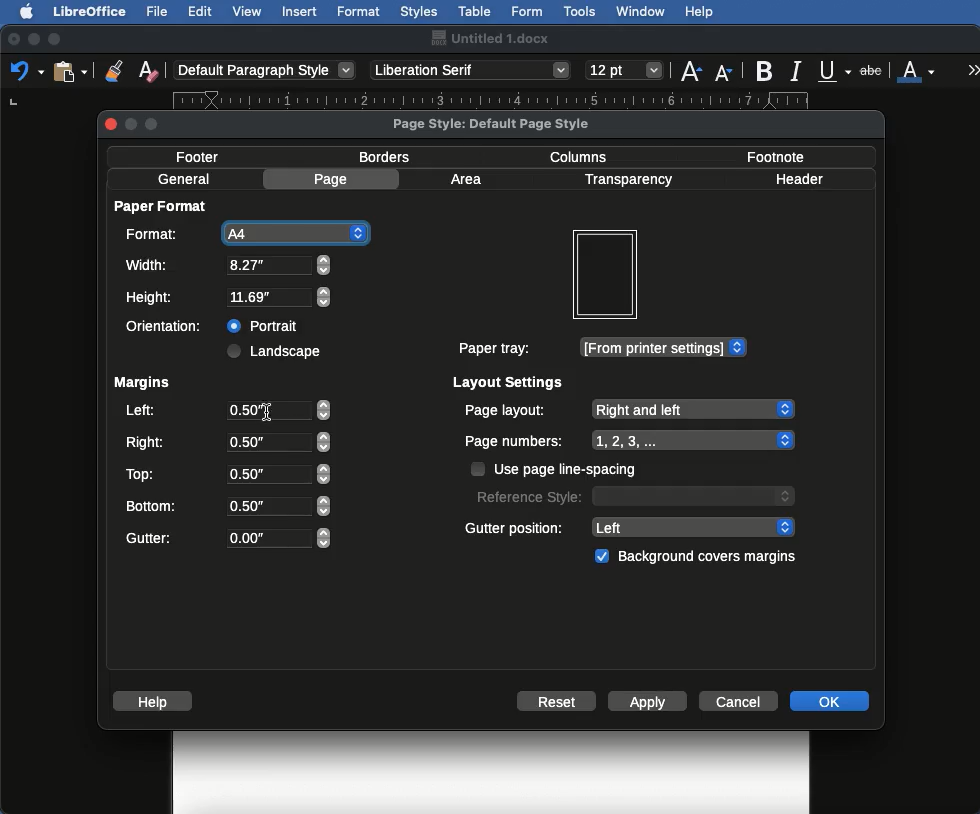 This screenshot has height=814, width=980. Describe the element at coordinates (386, 157) in the screenshot. I see `Borders` at that location.